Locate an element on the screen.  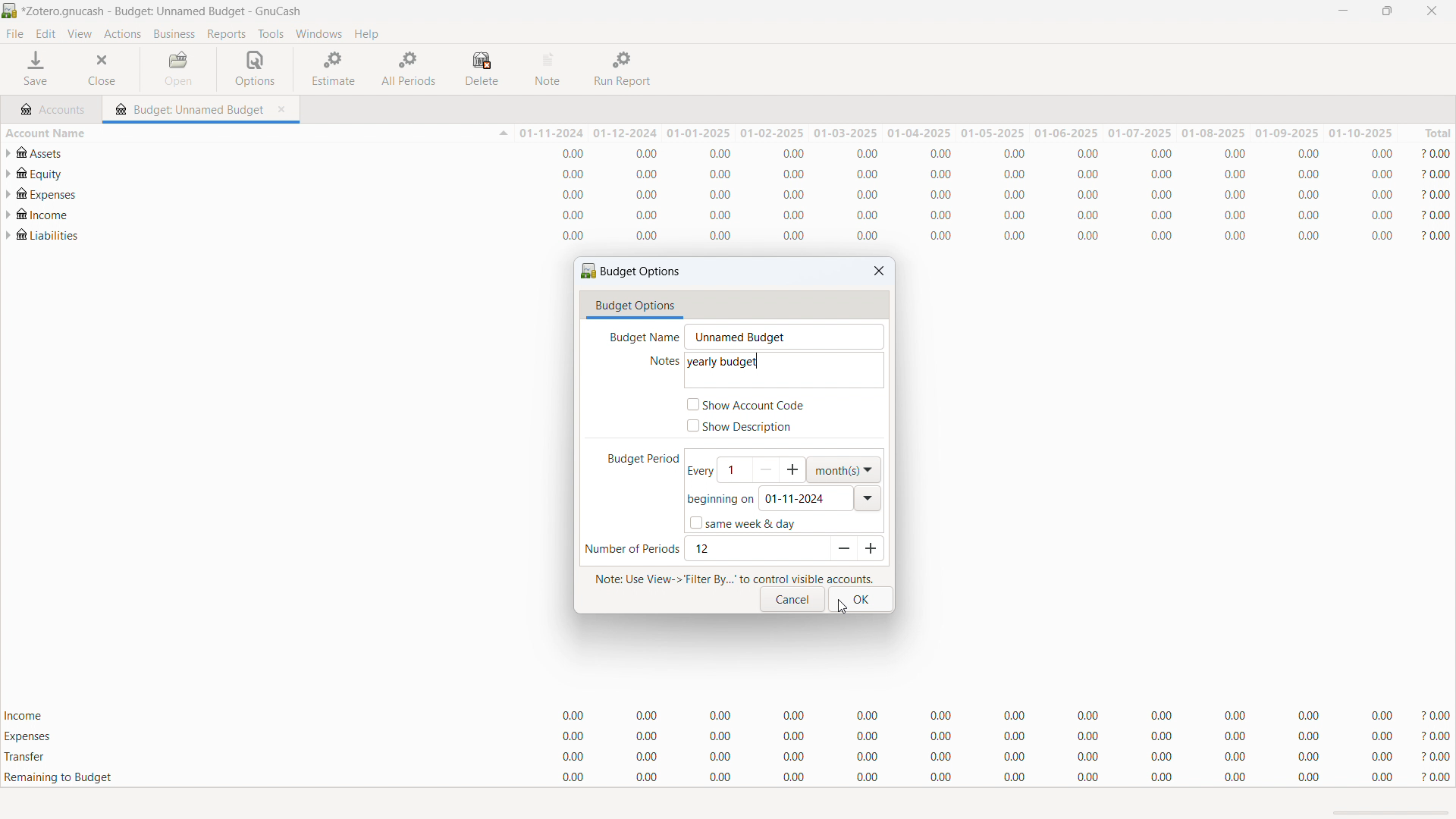
budget period is located at coordinates (635, 461).